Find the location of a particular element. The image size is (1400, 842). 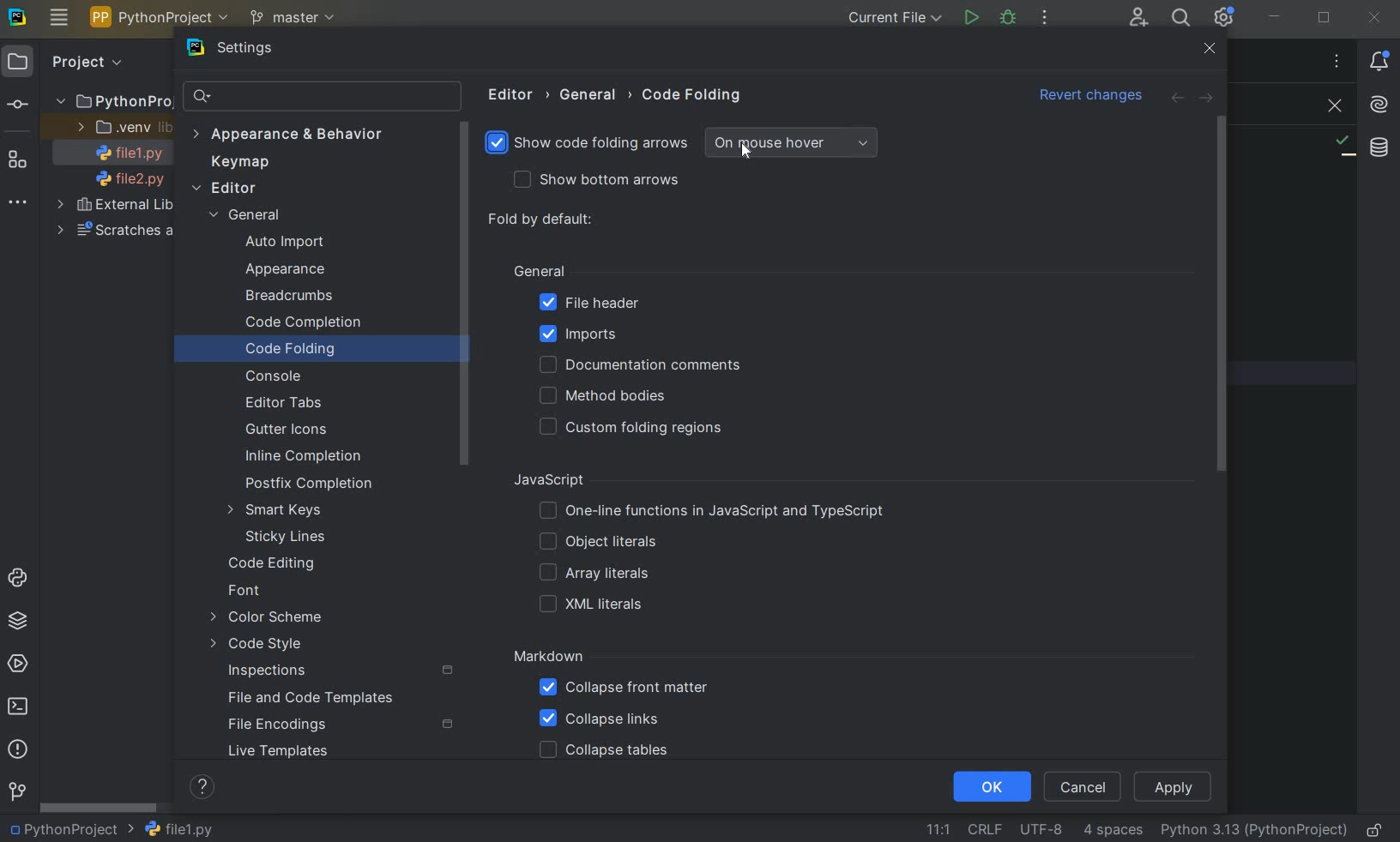

PYTHON PROJECT NAME is located at coordinates (162, 19).